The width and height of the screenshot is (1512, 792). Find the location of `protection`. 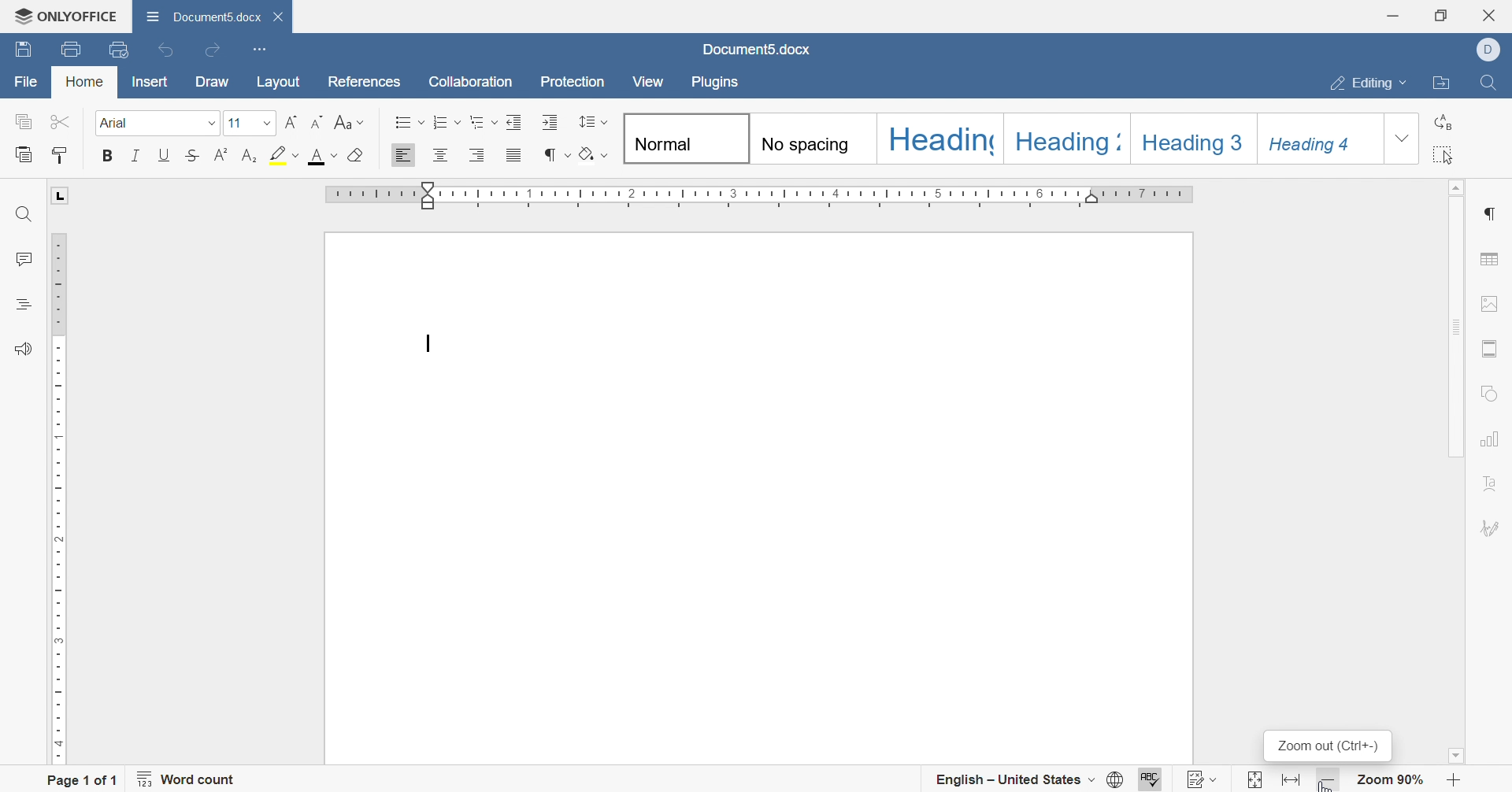

protection is located at coordinates (574, 83).